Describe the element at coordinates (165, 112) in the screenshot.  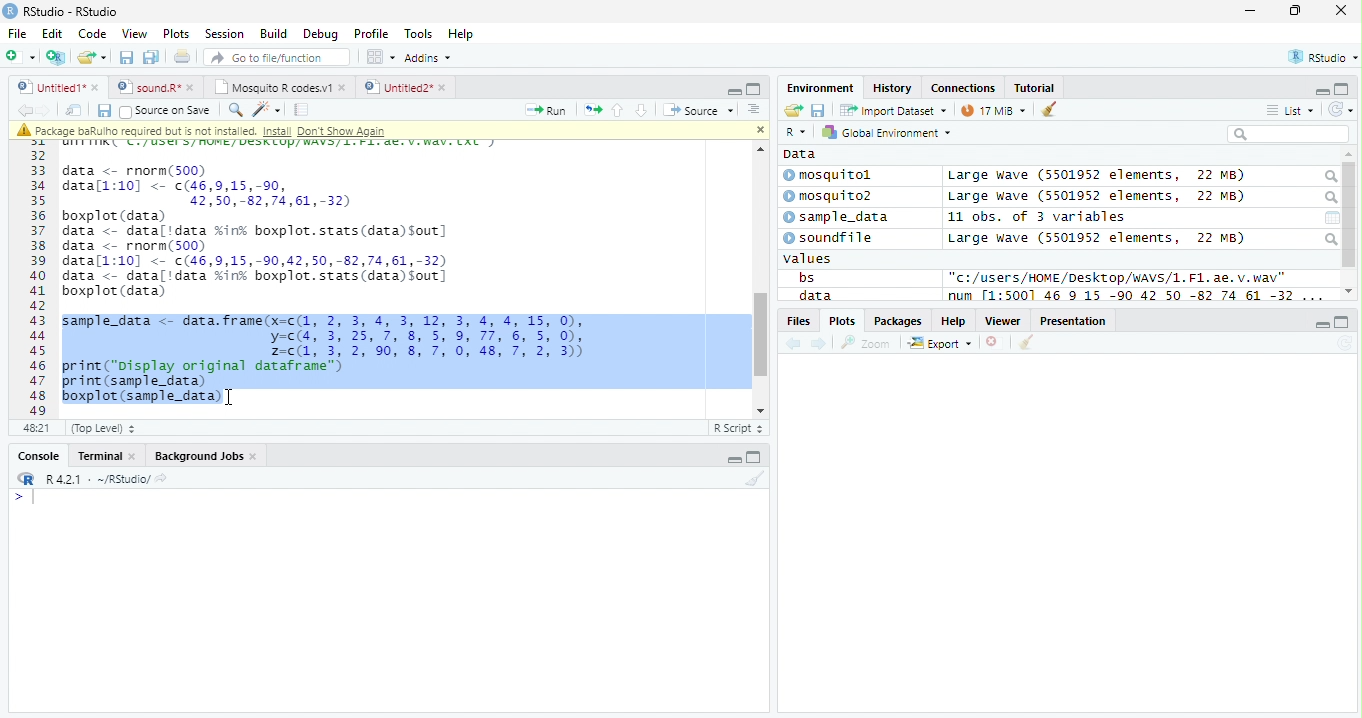
I see `Source on save` at that location.